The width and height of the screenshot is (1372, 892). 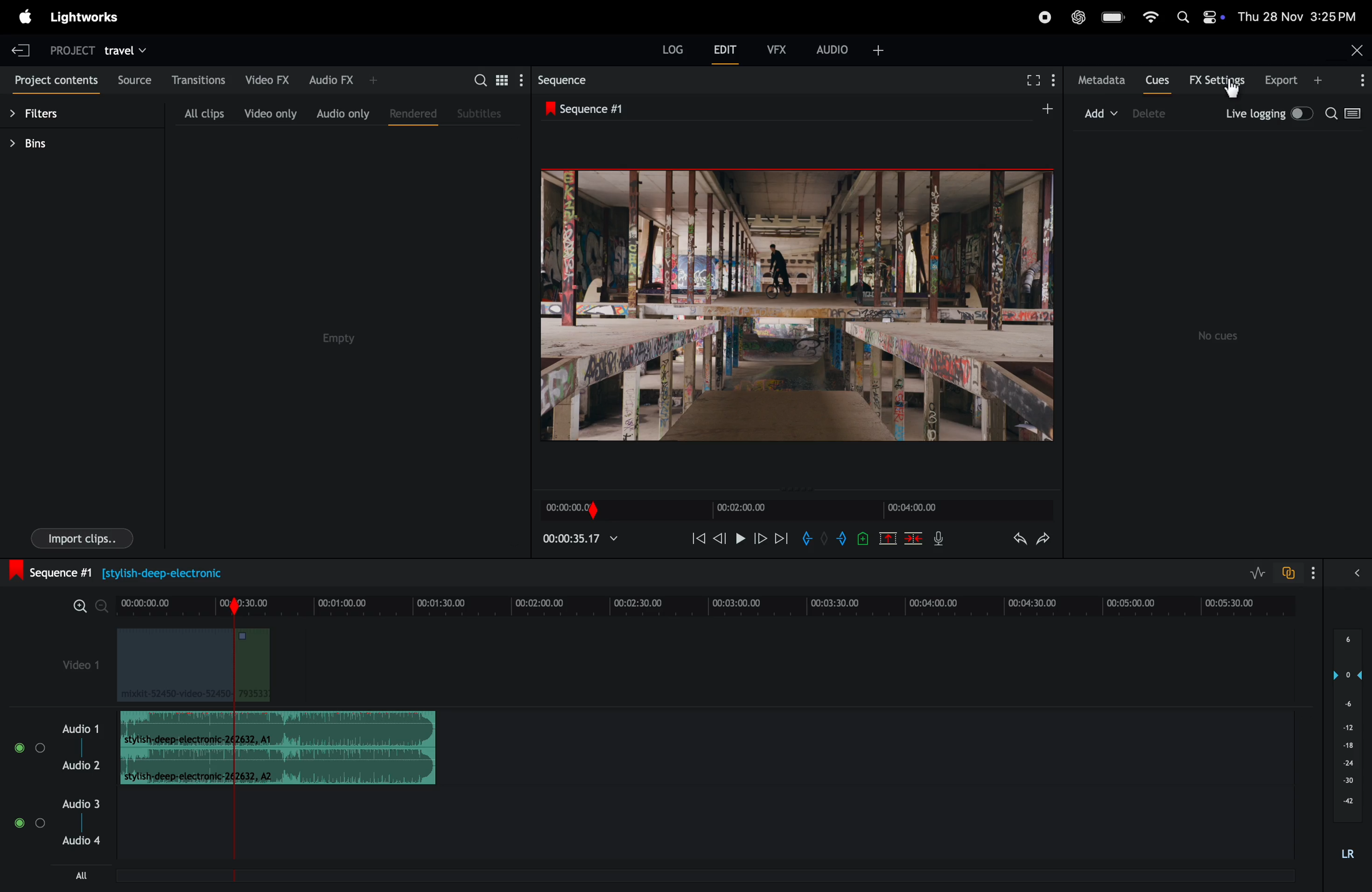 What do you see at coordinates (1217, 331) in the screenshot?
I see `no cues` at bounding box center [1217, 331].